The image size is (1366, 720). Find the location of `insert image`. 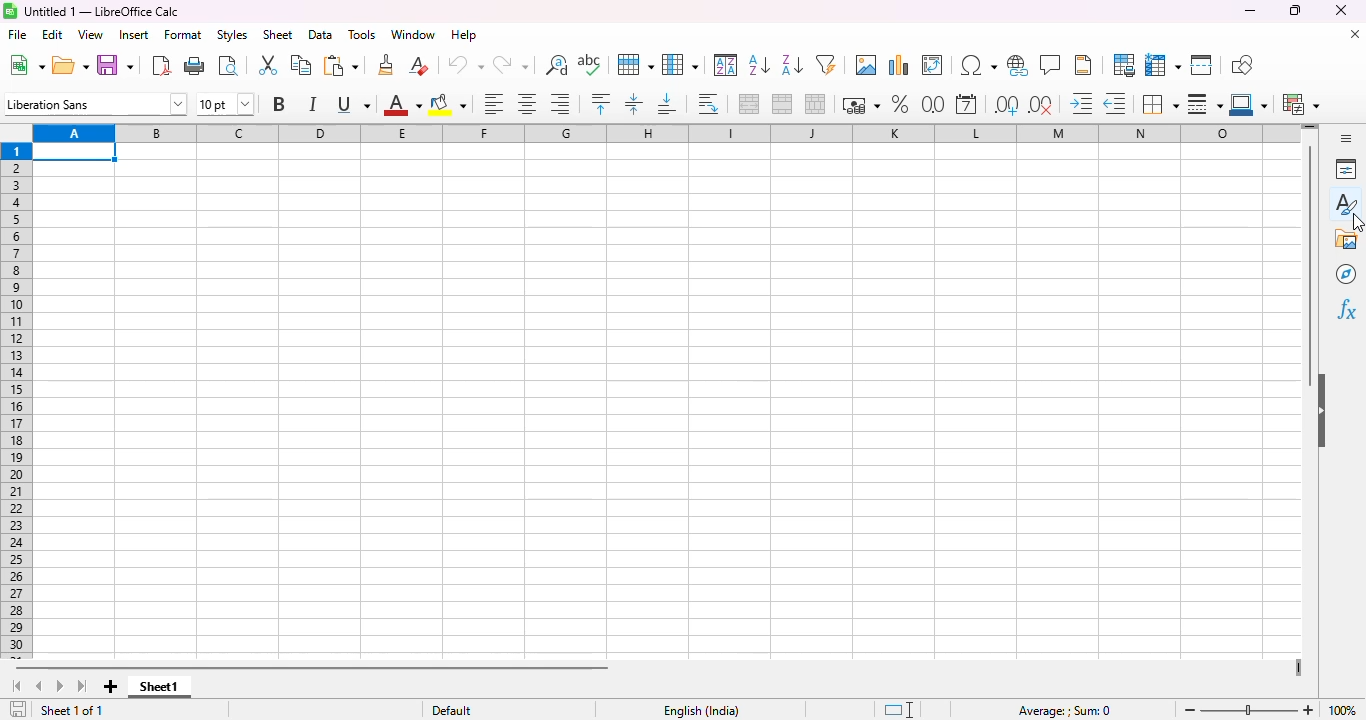

insert image is located at coordinates (867, 65).